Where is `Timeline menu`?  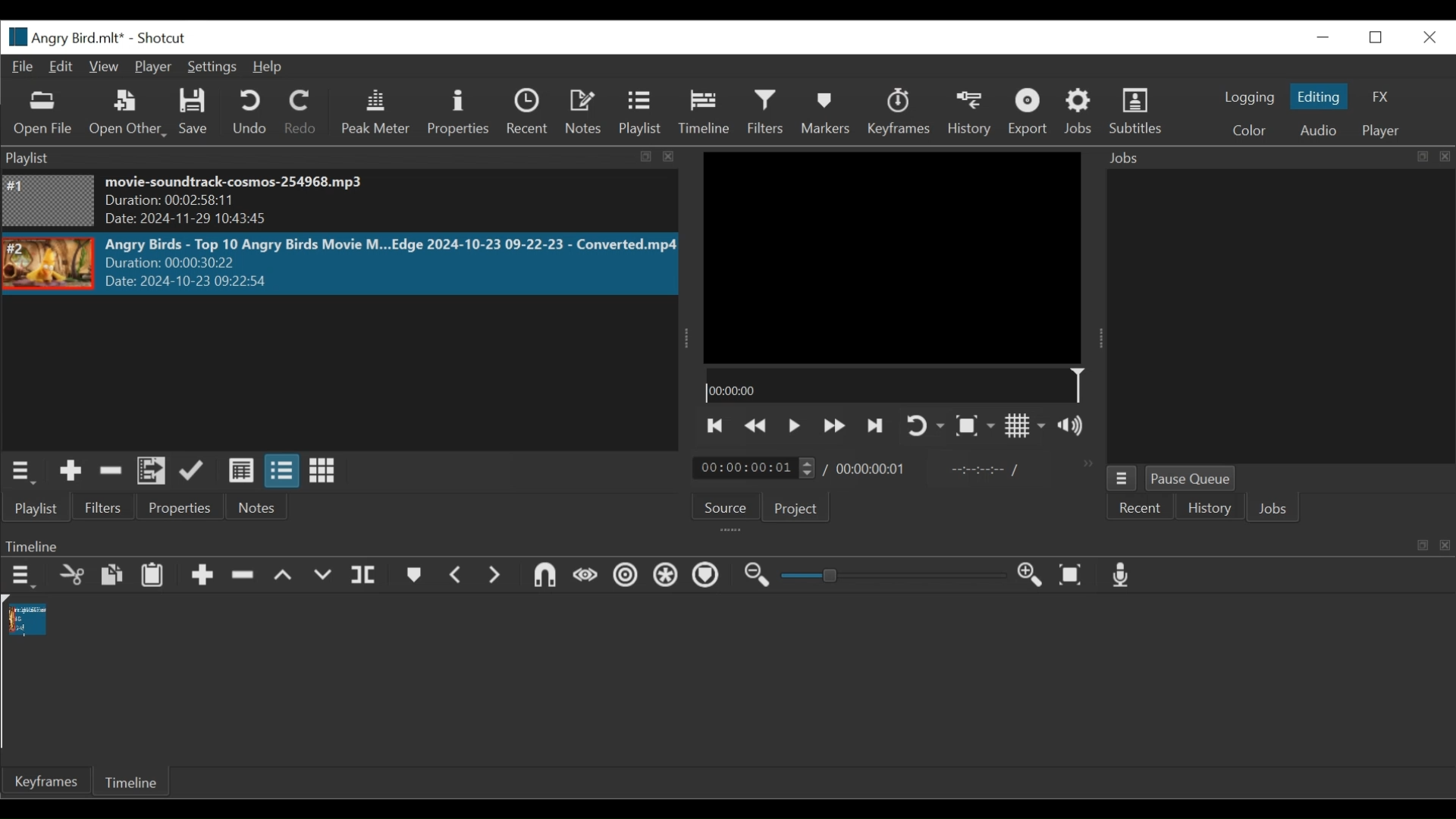
Timeline menu is located at coordinates (22, 577).